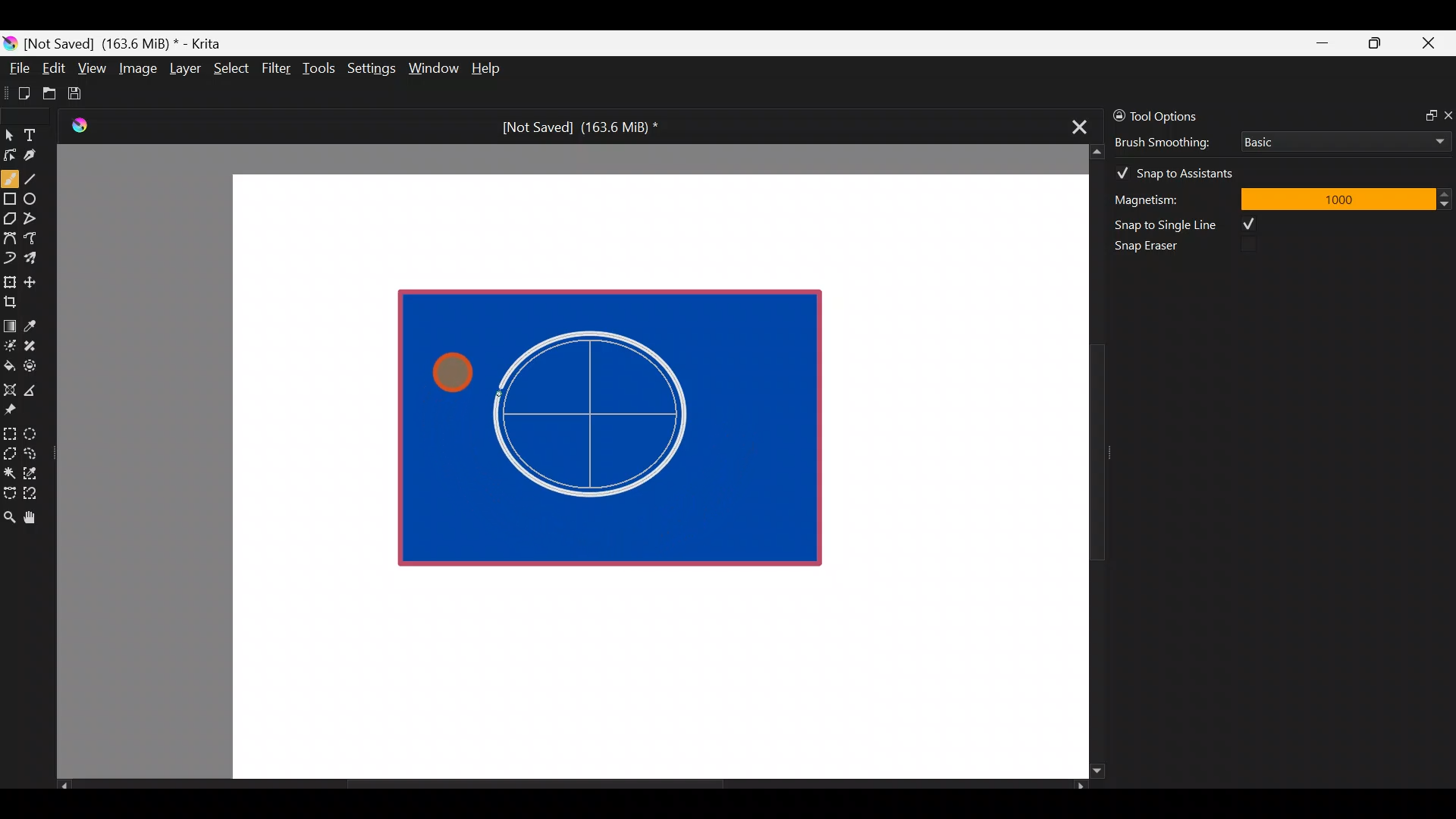  I want to click on 1000, so click(1337, 198).